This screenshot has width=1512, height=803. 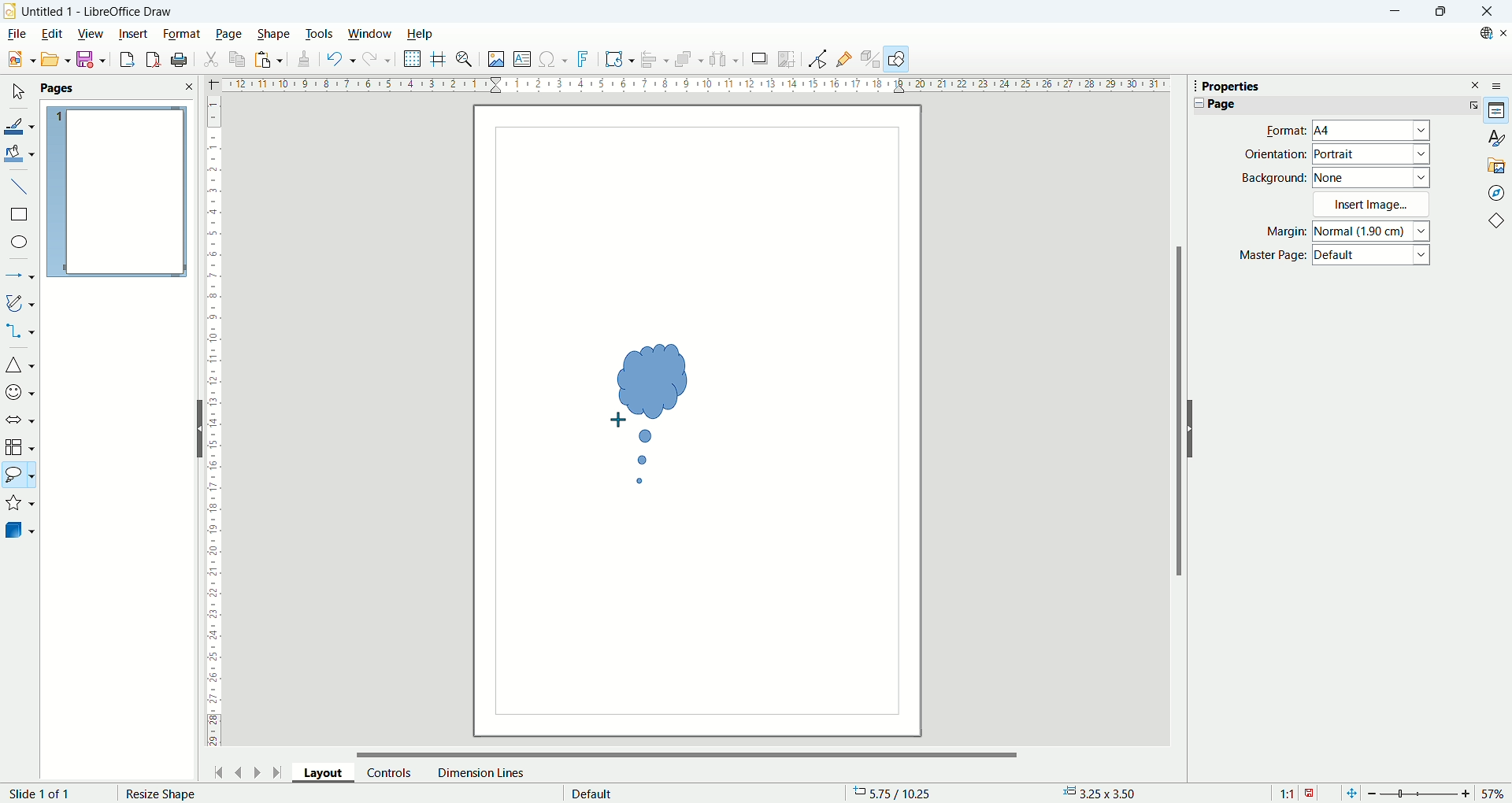 I want to click on symbol shapes, so click(x=20, y=391).